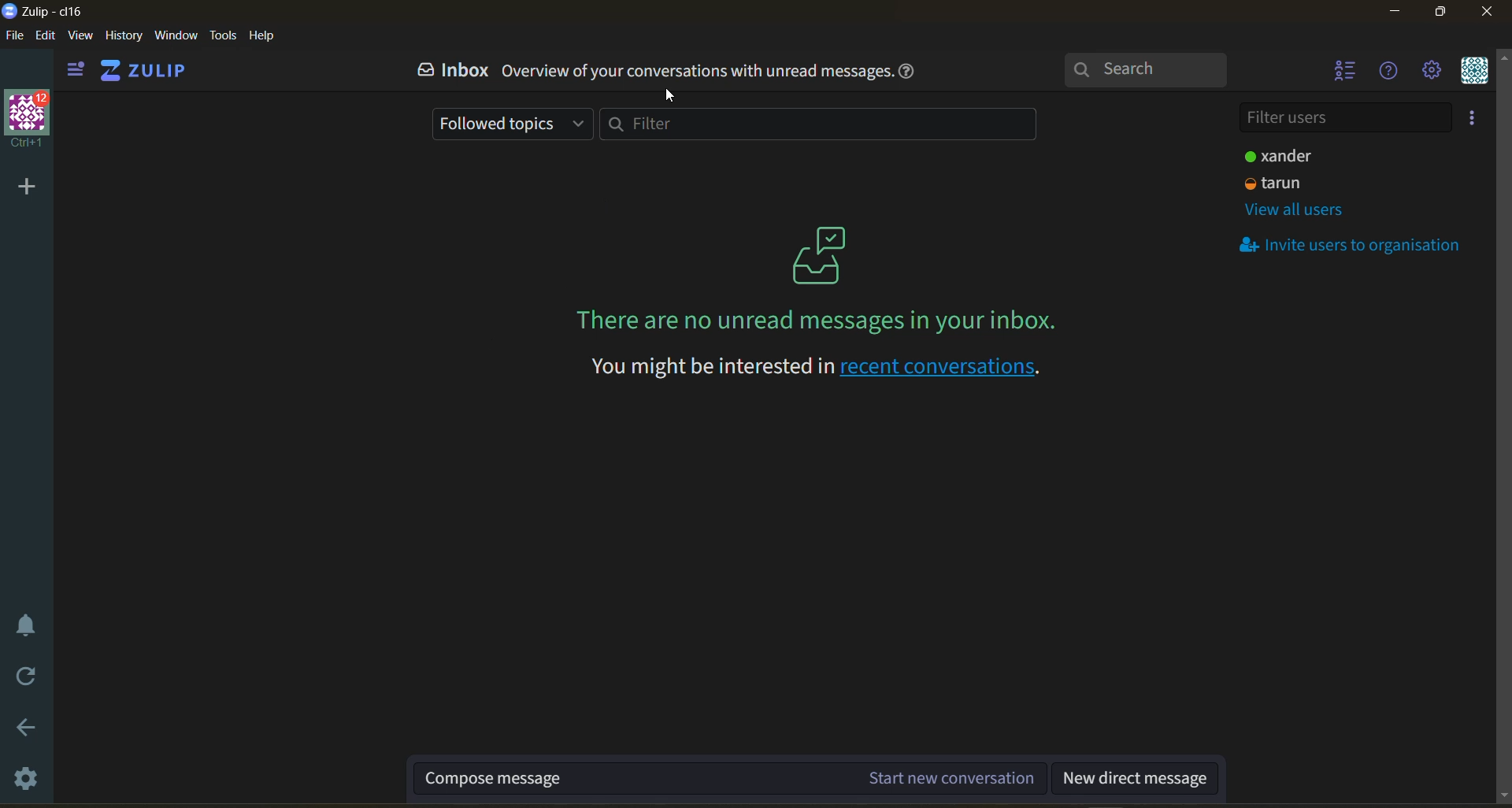 The image size is (1512, 808). I want to click on view all users, so click(1303, 211).